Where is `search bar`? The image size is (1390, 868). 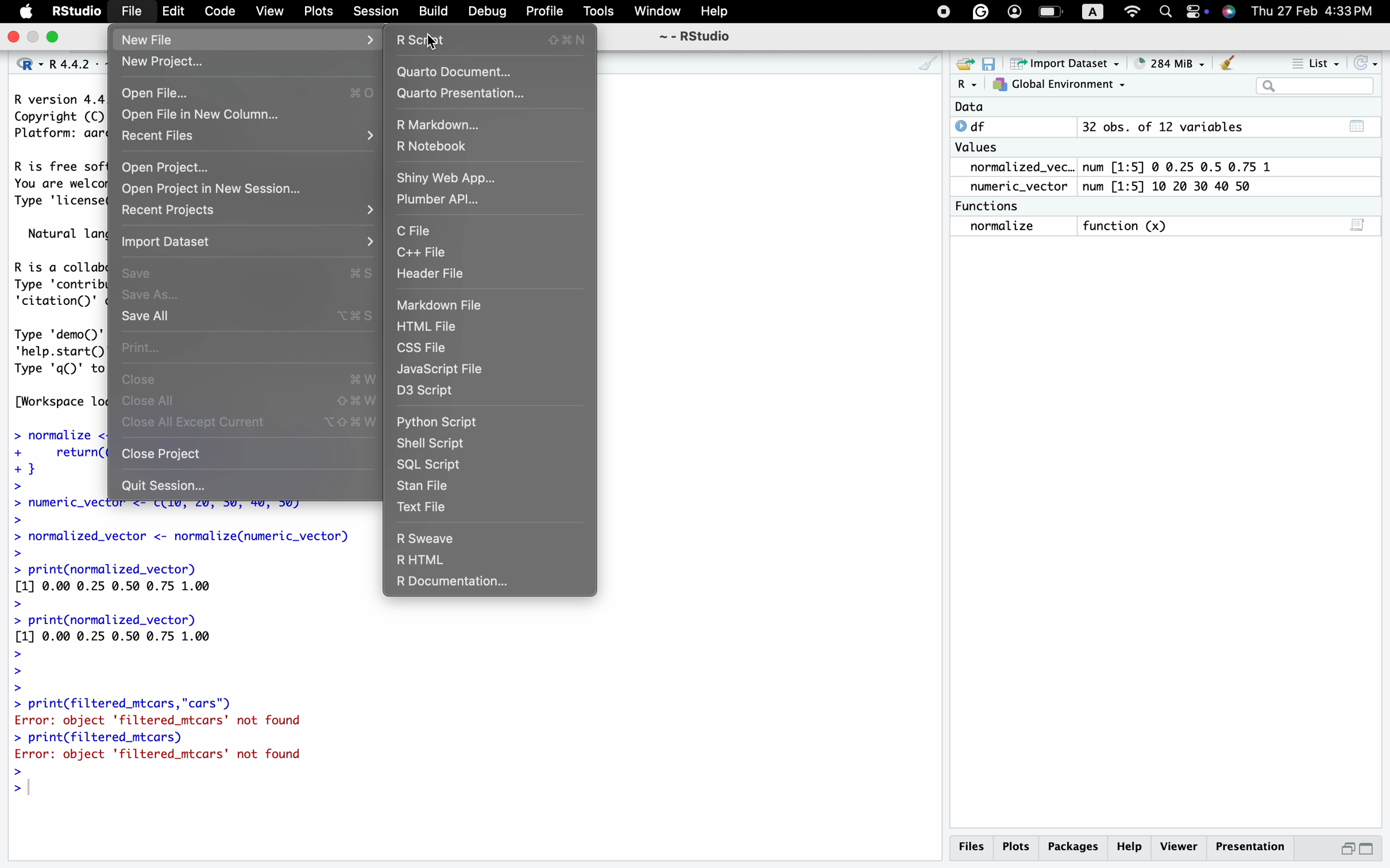
search bar is located at coordinates (1311, 85).